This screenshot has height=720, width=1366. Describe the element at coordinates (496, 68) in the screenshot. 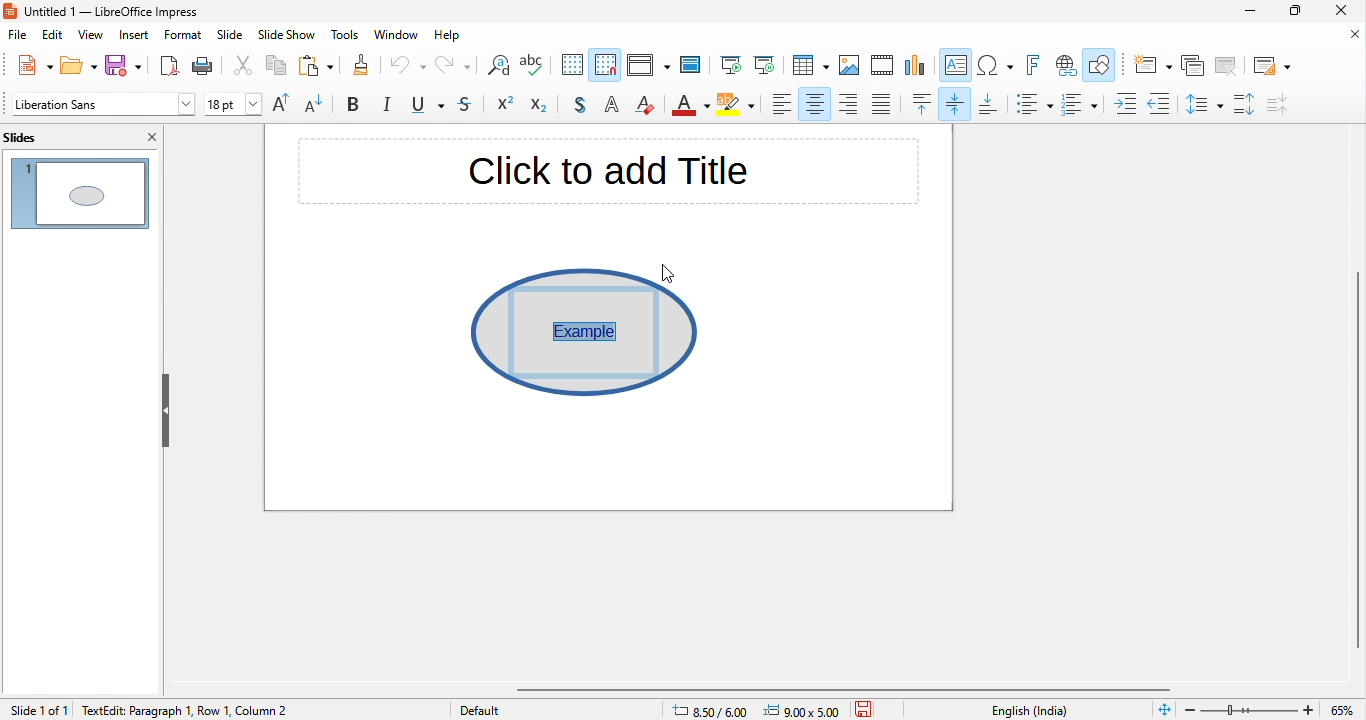

I see `find and replace` at that location.